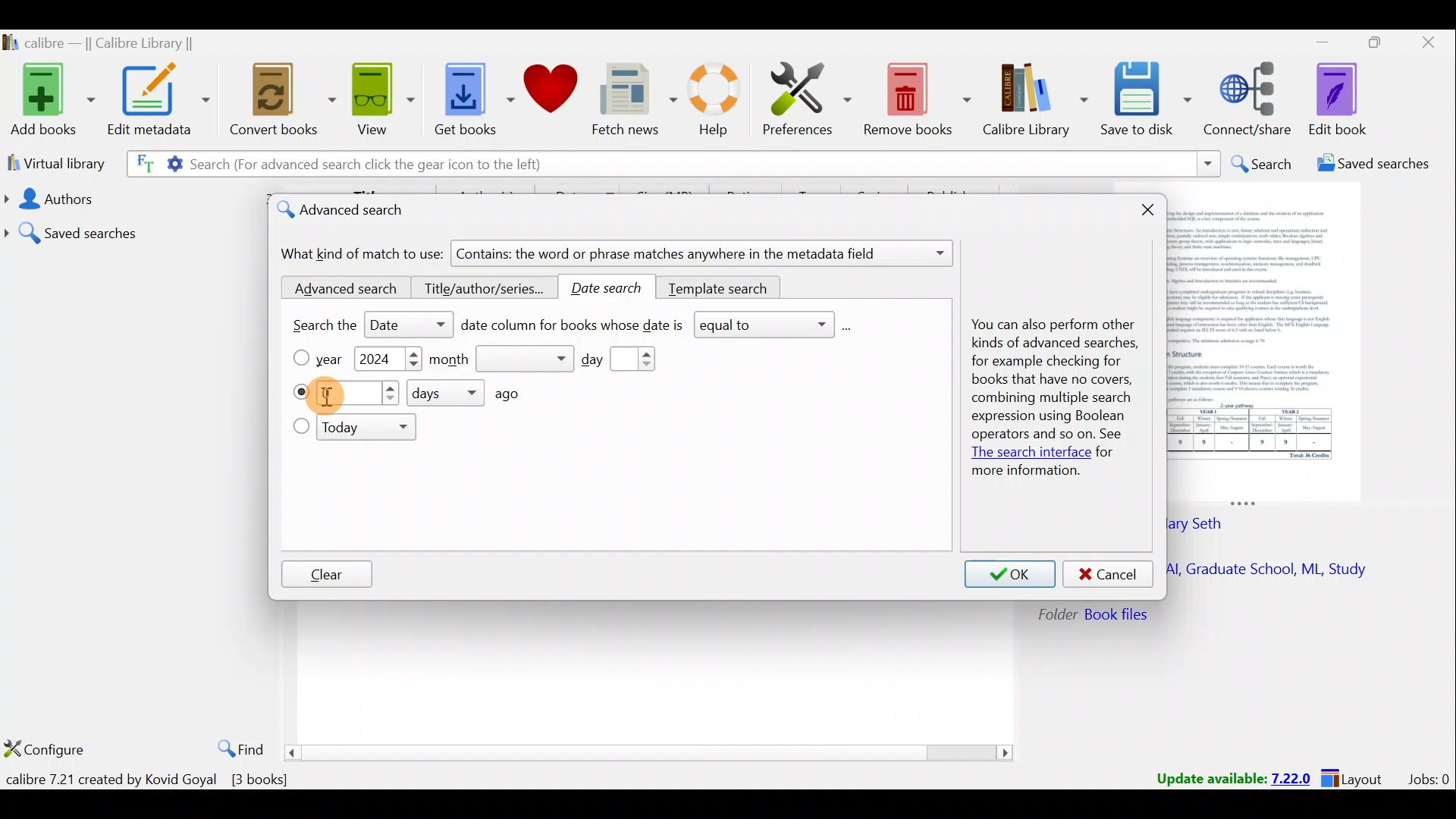  What do you see at coordinates (1225, 777) in the screenshot?
I see `Update available: 7.22.0` at bounding box center [1225, 777].